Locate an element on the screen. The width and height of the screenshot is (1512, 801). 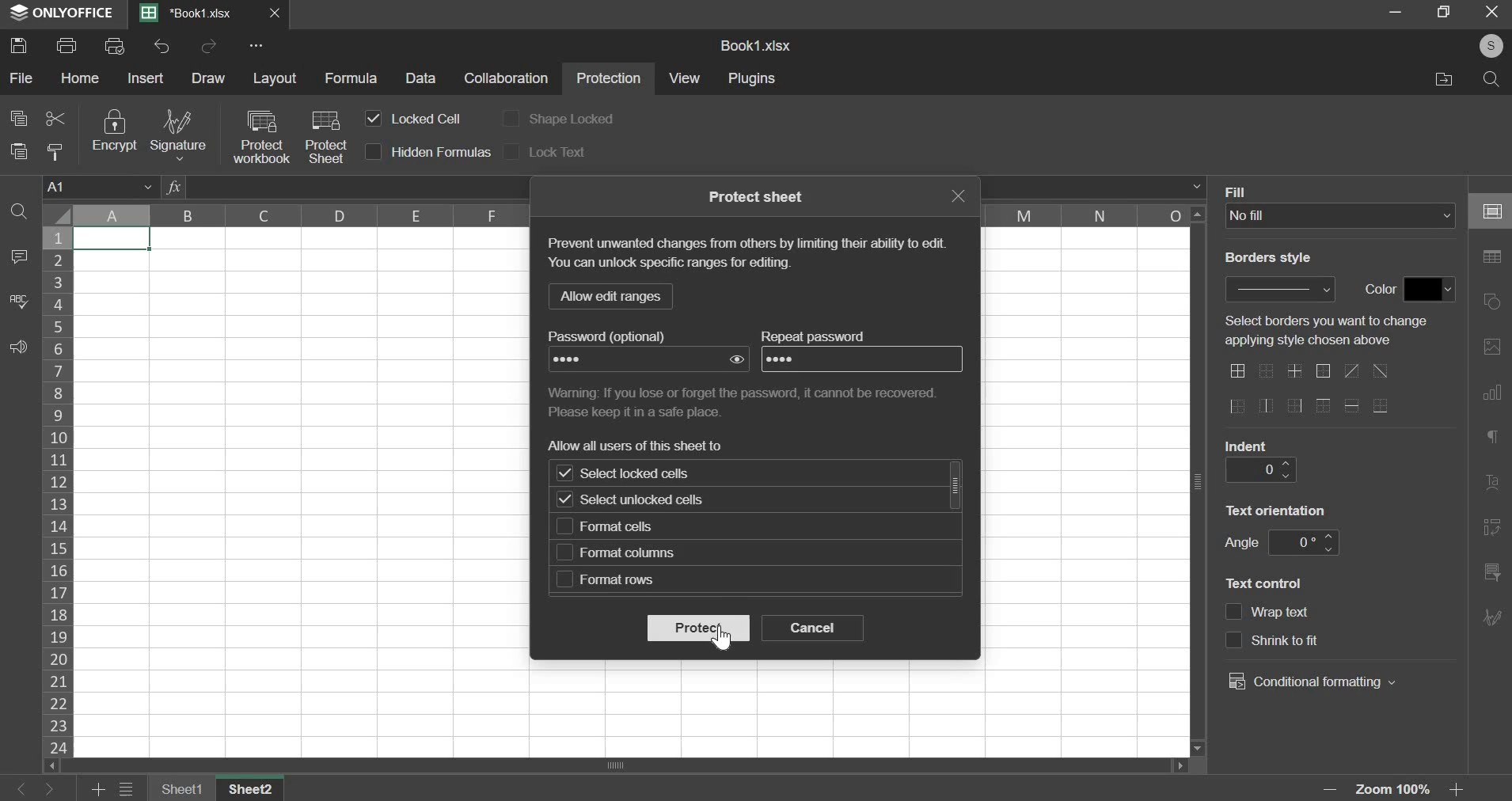
right side bar is located at coordinates (1496, 211).